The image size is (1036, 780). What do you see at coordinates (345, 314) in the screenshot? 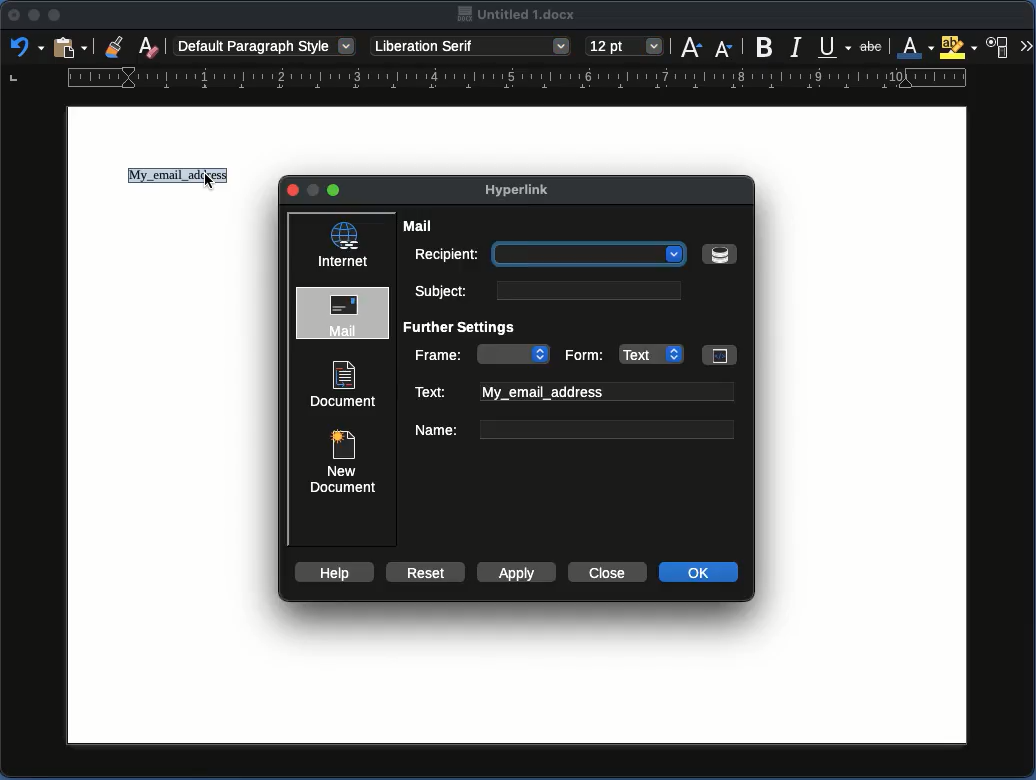
I see `Mail` at bounding box center [345, 314].